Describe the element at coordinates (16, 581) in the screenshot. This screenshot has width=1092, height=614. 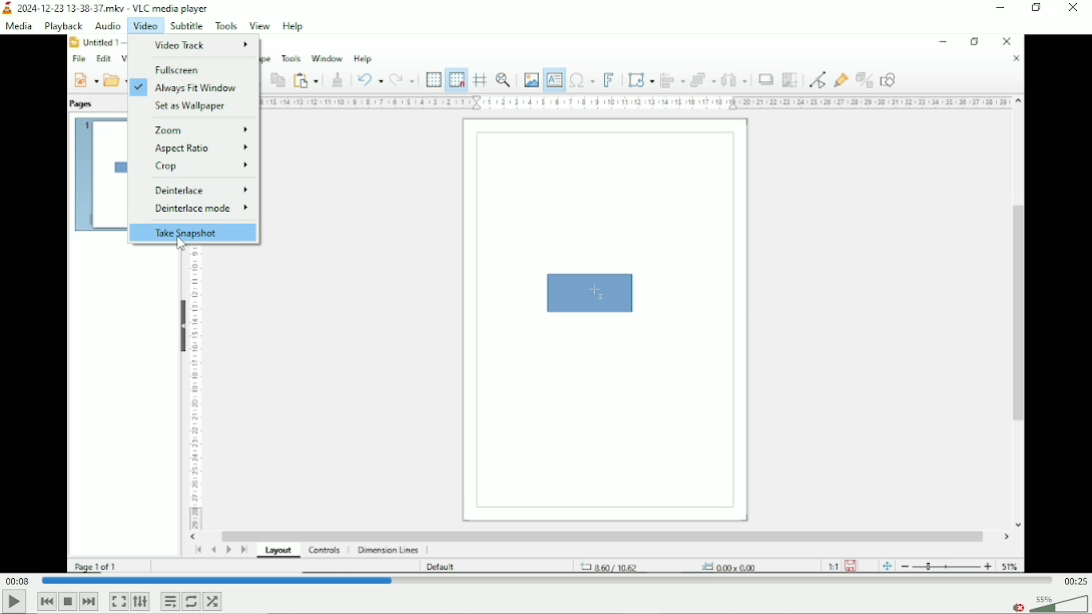
I see `Elapsed time` at that location.